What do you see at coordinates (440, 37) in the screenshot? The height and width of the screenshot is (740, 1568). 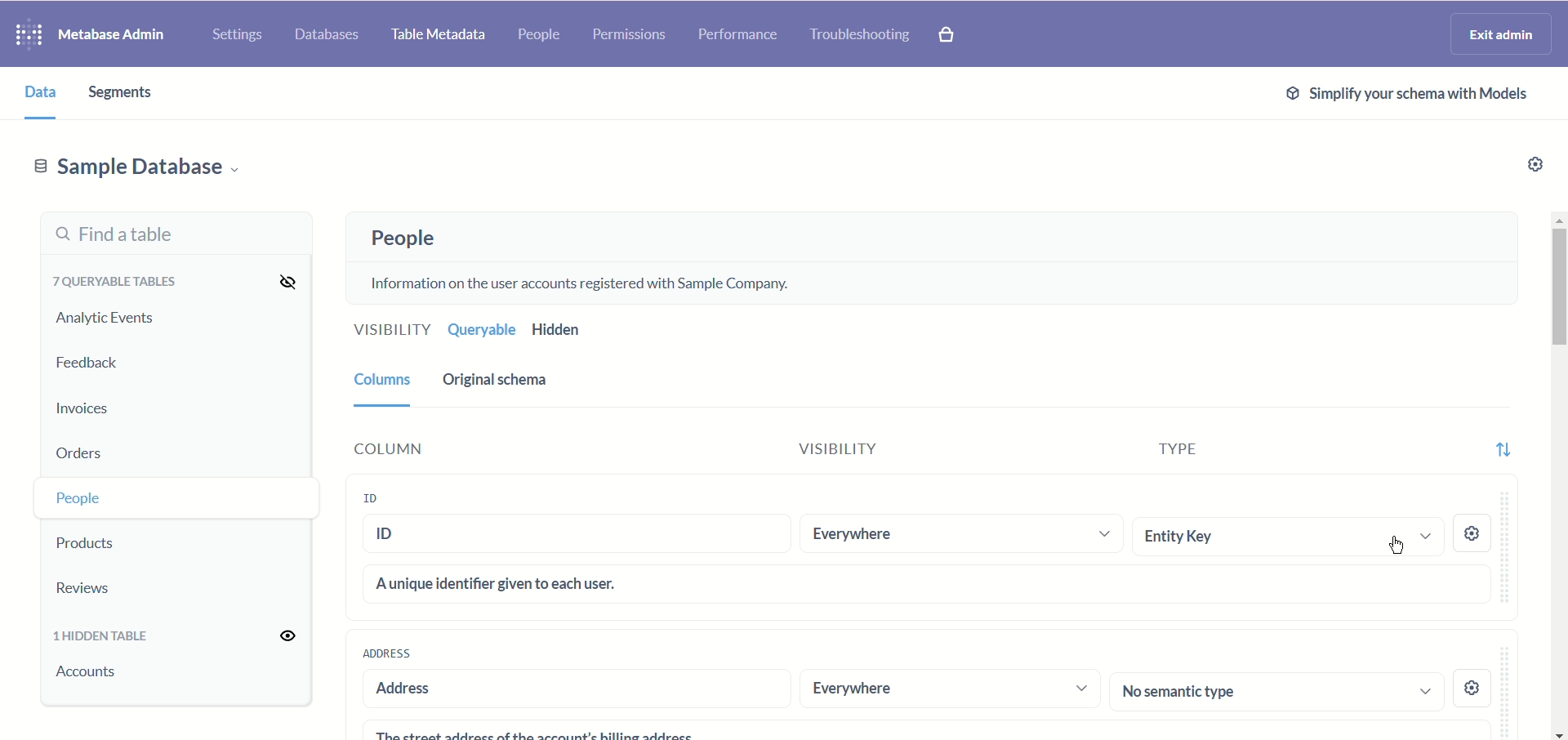 I see `Table Metadata` at bounding box center [440, 37].